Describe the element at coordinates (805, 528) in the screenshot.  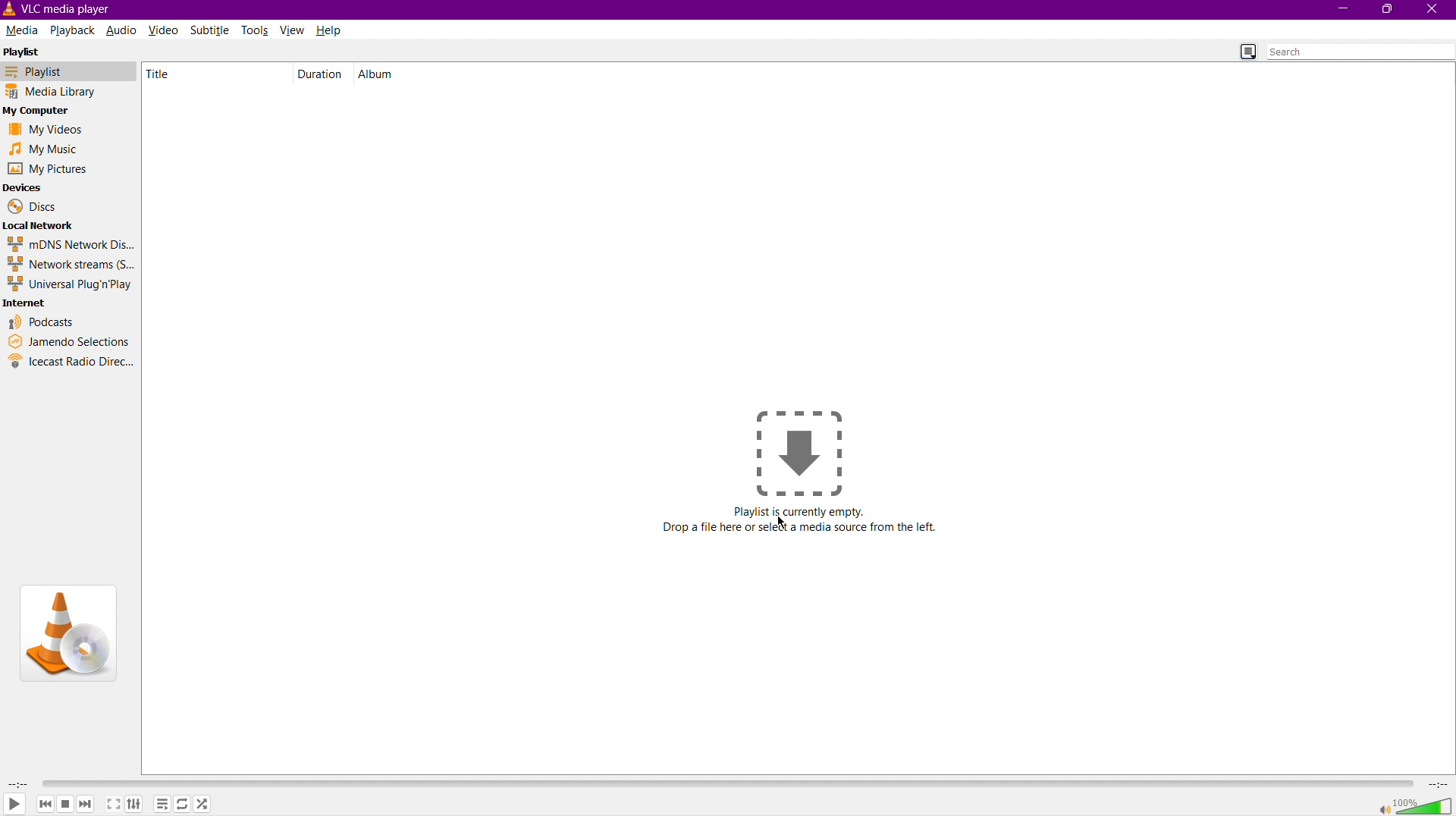
I see `Drop a file here or select  media source from the left` at that location.